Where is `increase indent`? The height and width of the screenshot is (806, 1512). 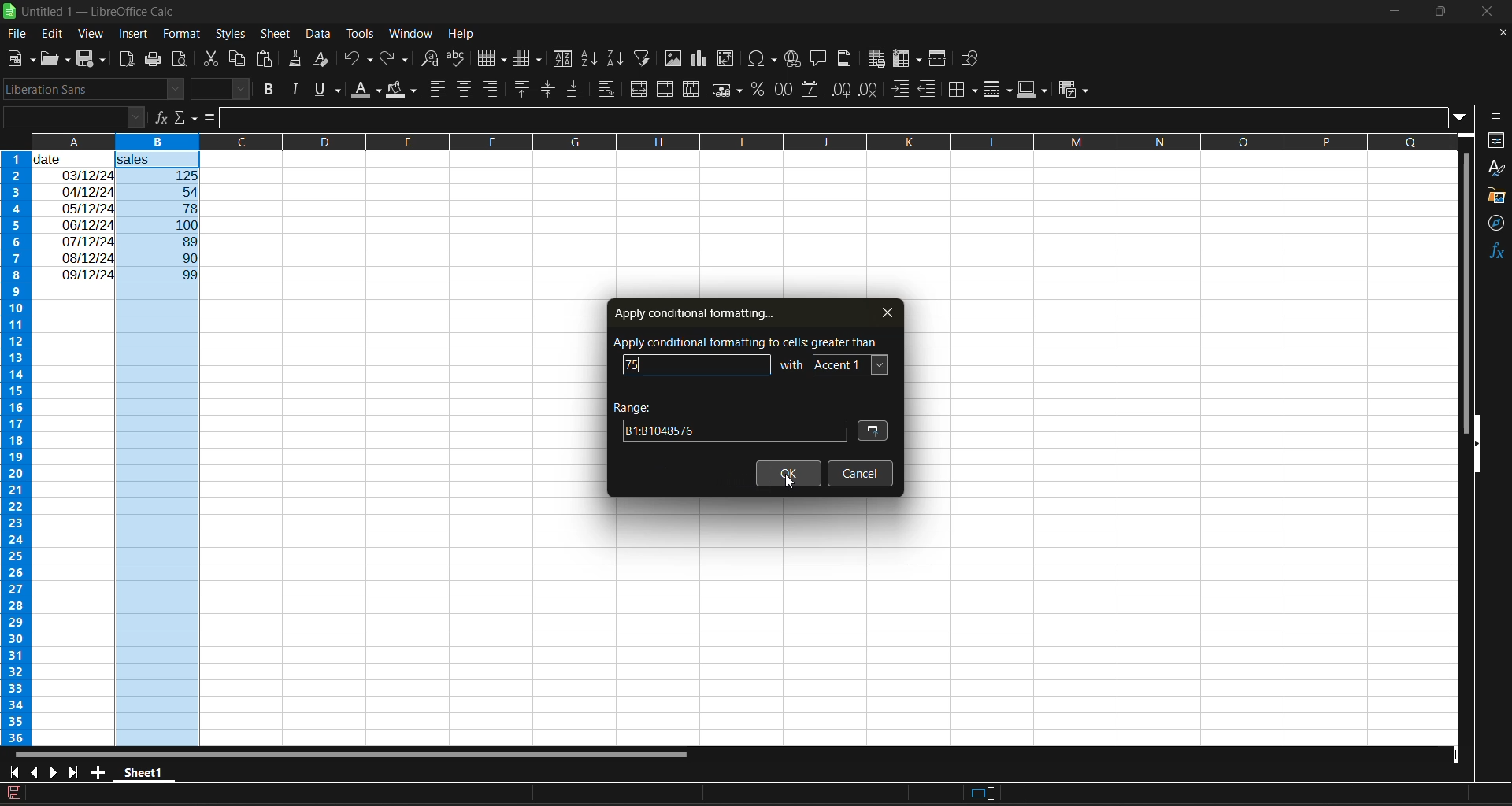 increase indent is located at coordinates (901, 89).